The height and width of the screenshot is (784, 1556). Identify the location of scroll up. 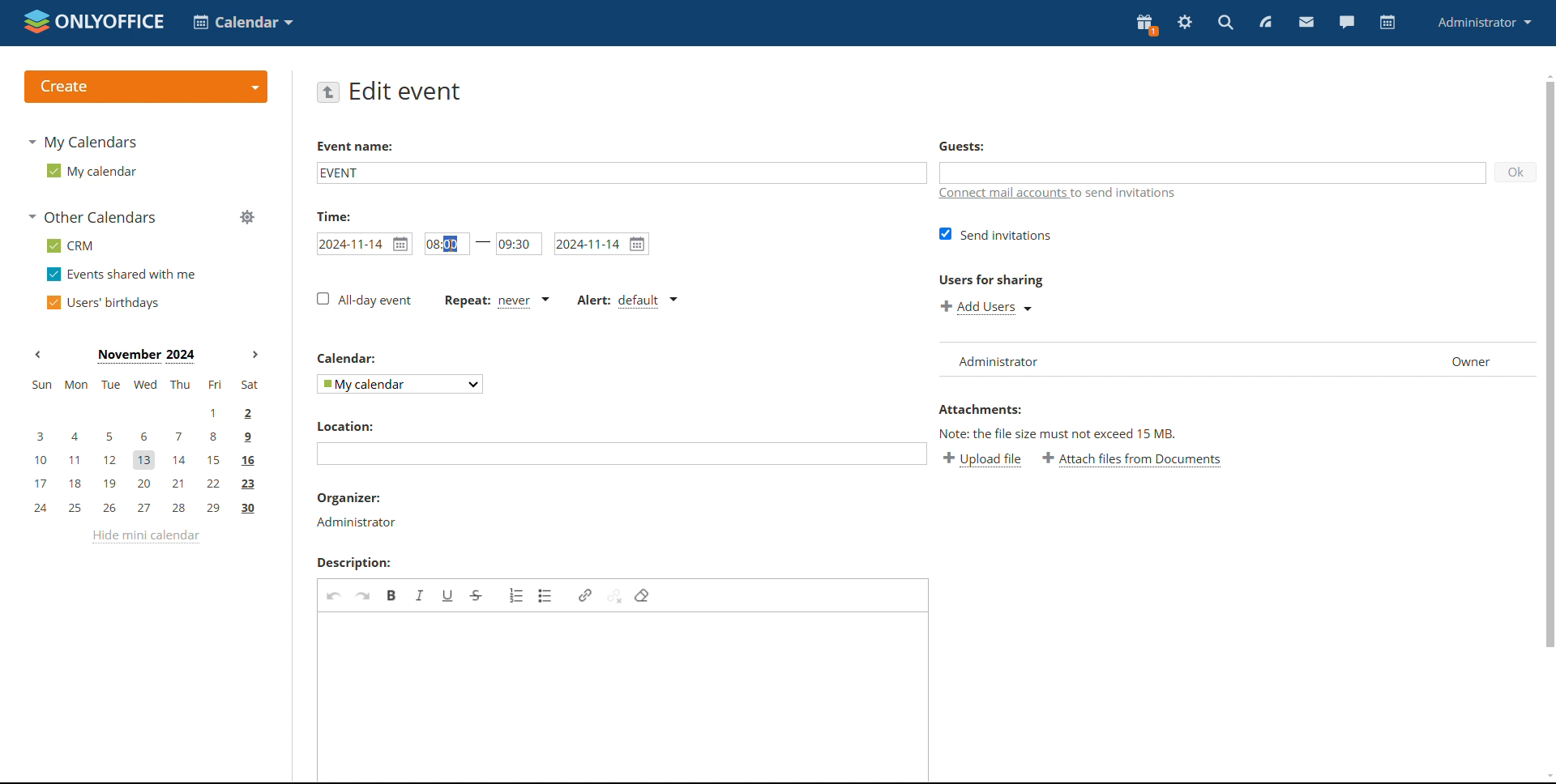
(1546, 76).